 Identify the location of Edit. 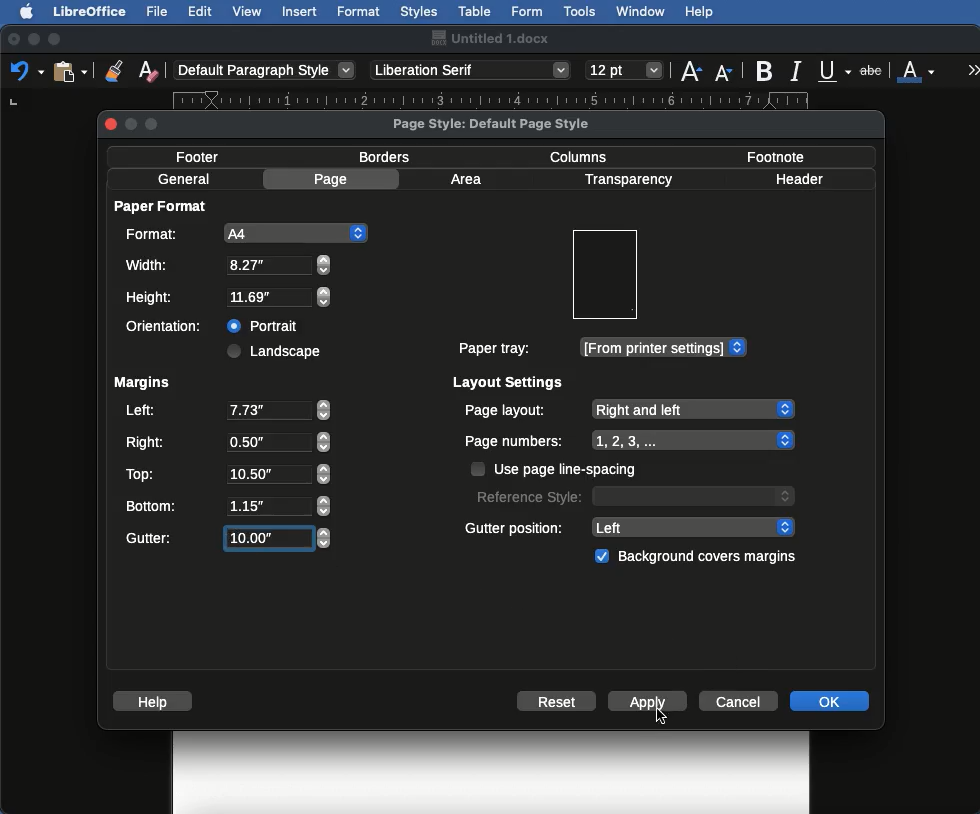
(200, 11).